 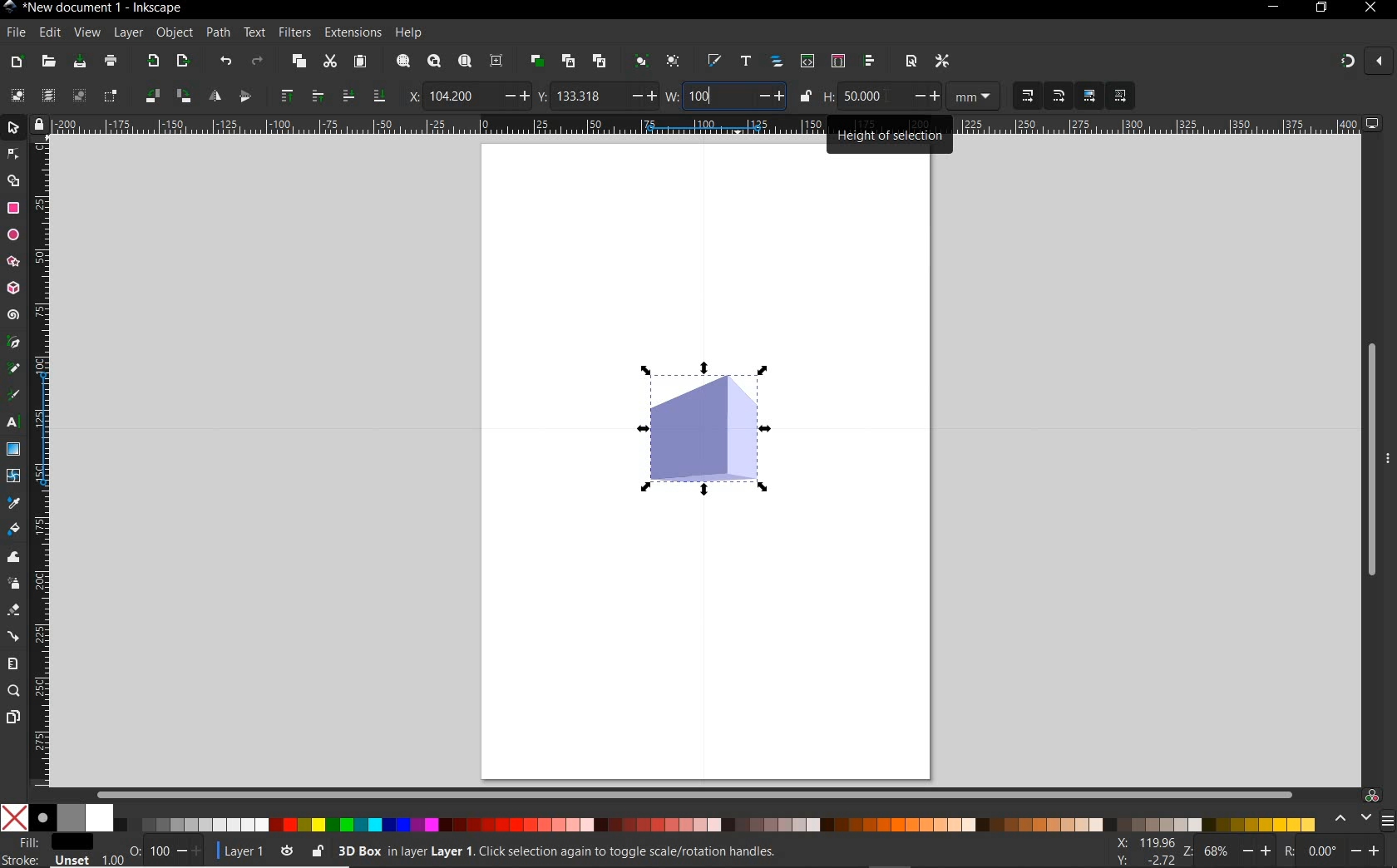 I want to click on lock/unlock, so click(x=316, y=849).